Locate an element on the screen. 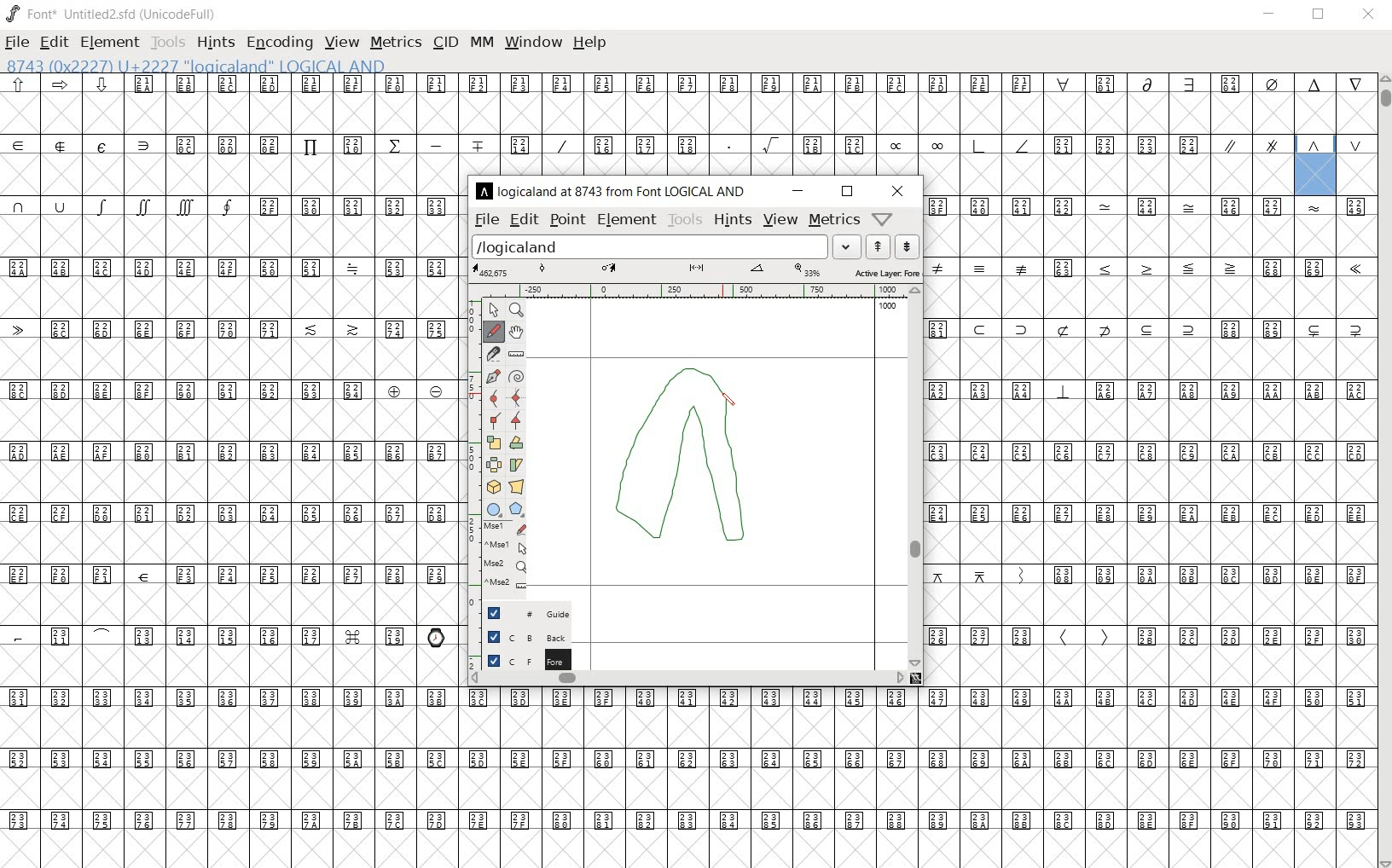  8743 (0x22227) U+2227 "logicaland" LOGICAL AND is located at coordinates (198, 67).